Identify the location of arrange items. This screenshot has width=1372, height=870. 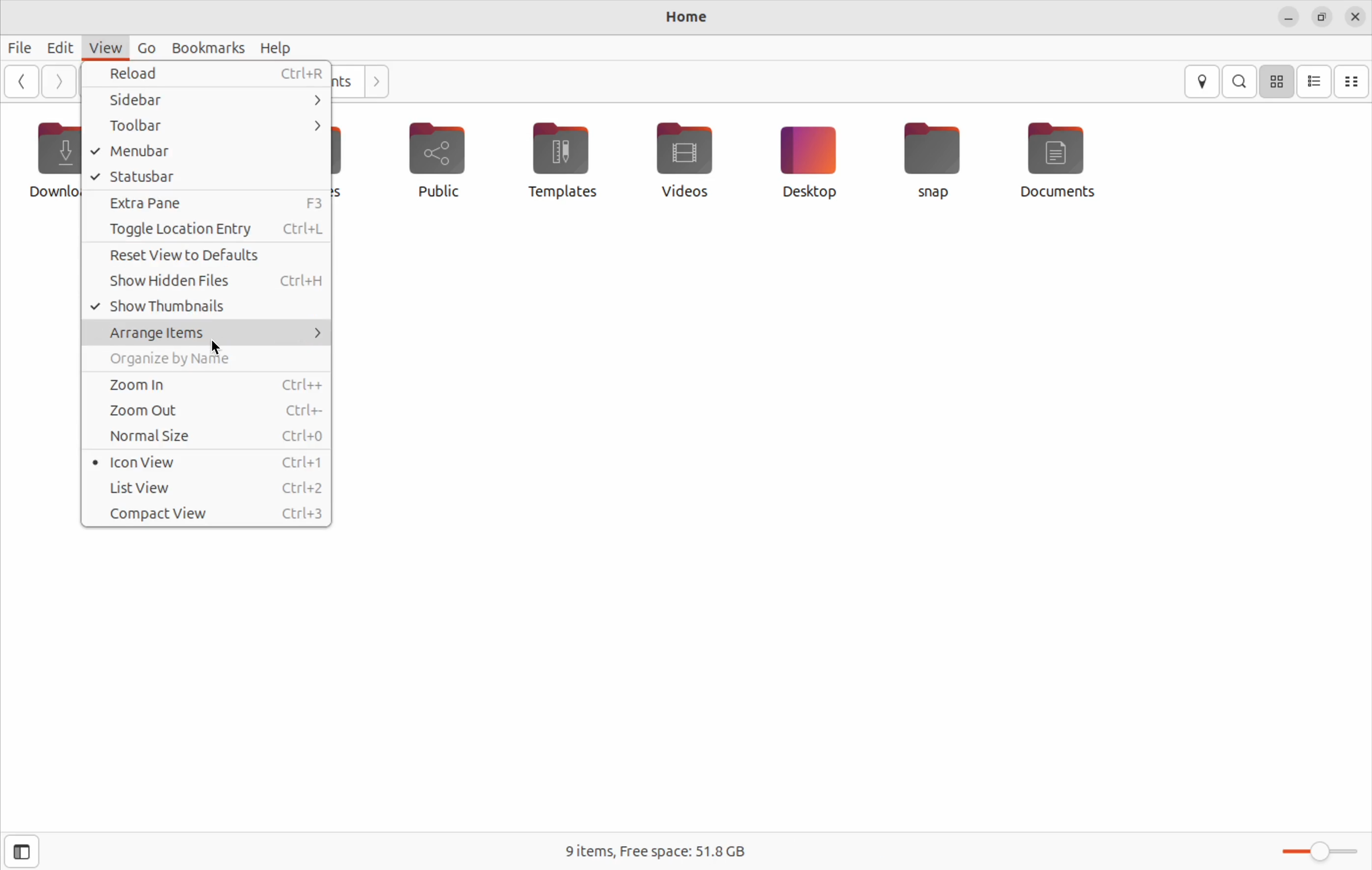
(207, 333).